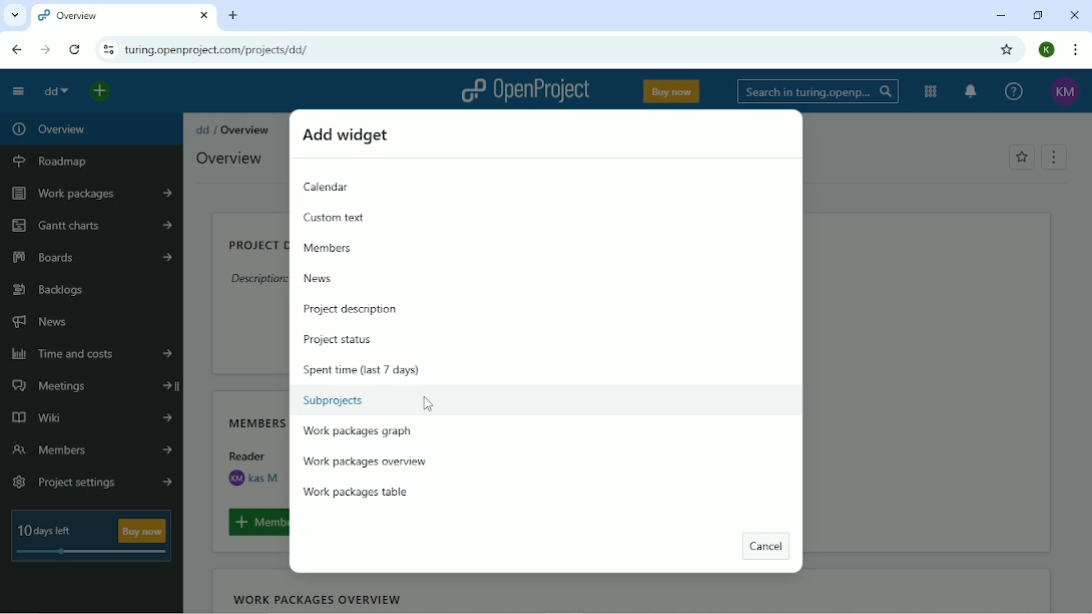 This screenshot has width=1092, height=614. I want to click on dd, so click(55, 92).